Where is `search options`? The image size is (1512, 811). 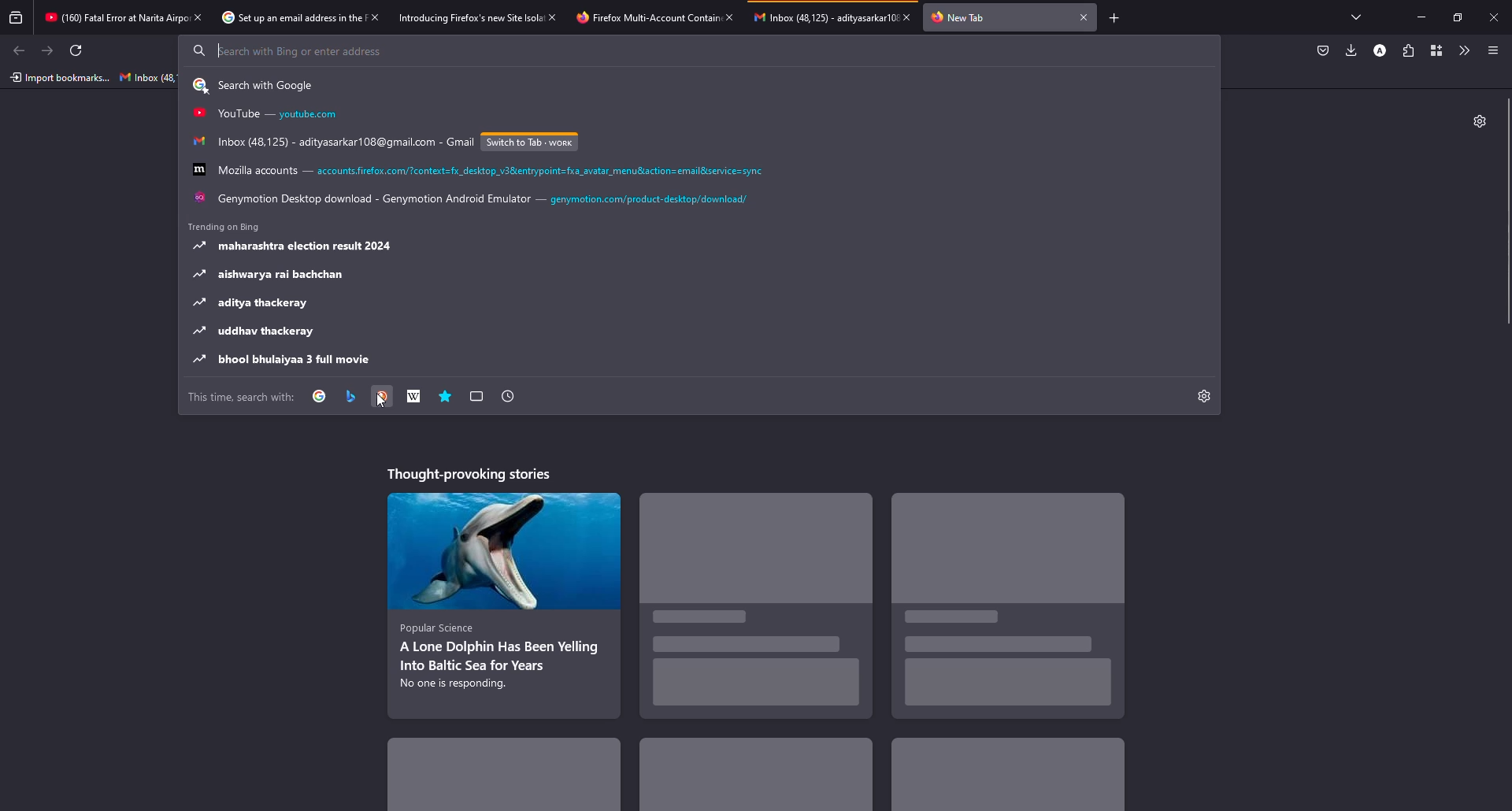
search options is located at coordinates (283, 359).